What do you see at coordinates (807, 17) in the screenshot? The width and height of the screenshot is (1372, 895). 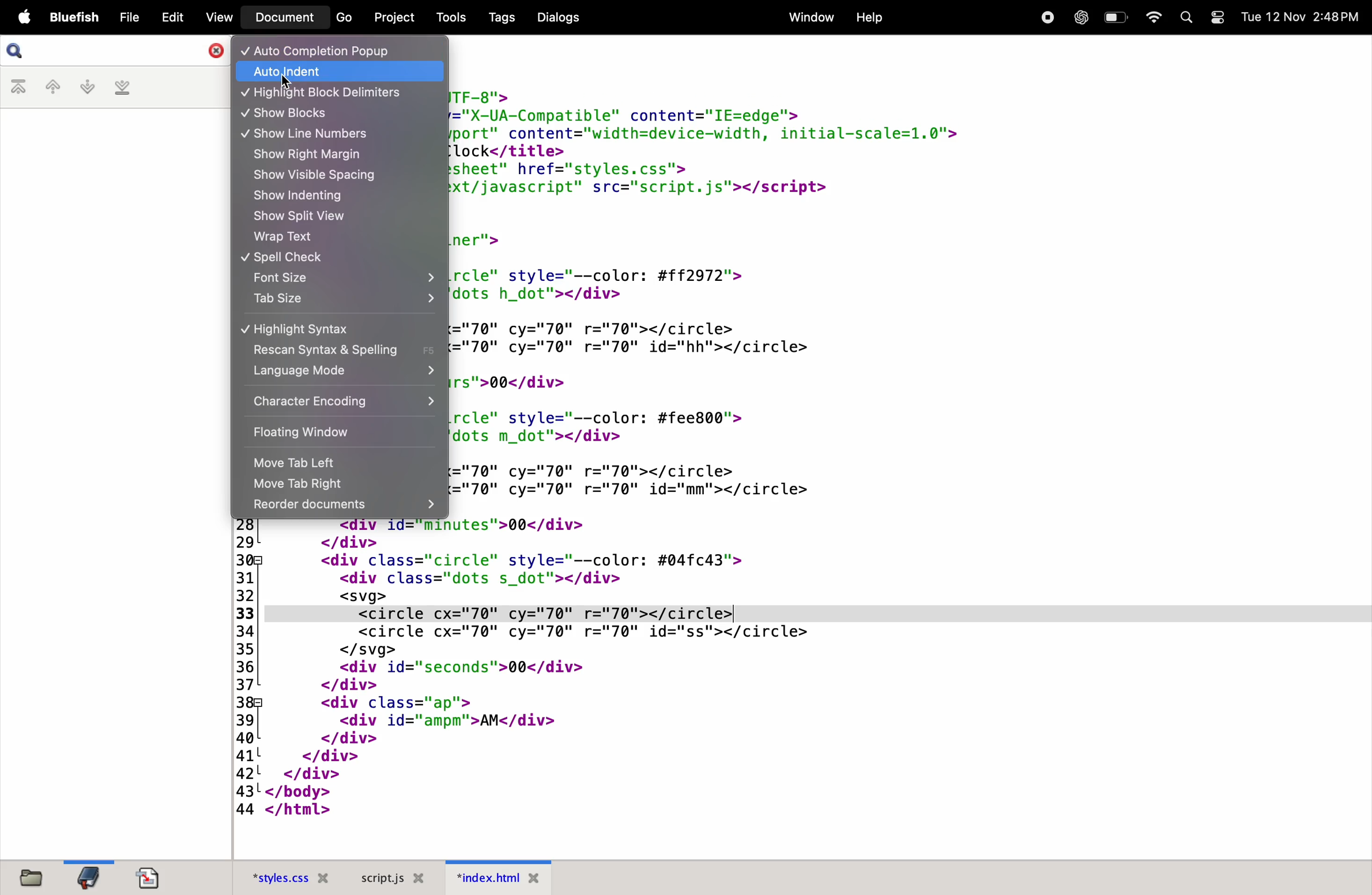 I see `window` at bounding box center [807, 17].